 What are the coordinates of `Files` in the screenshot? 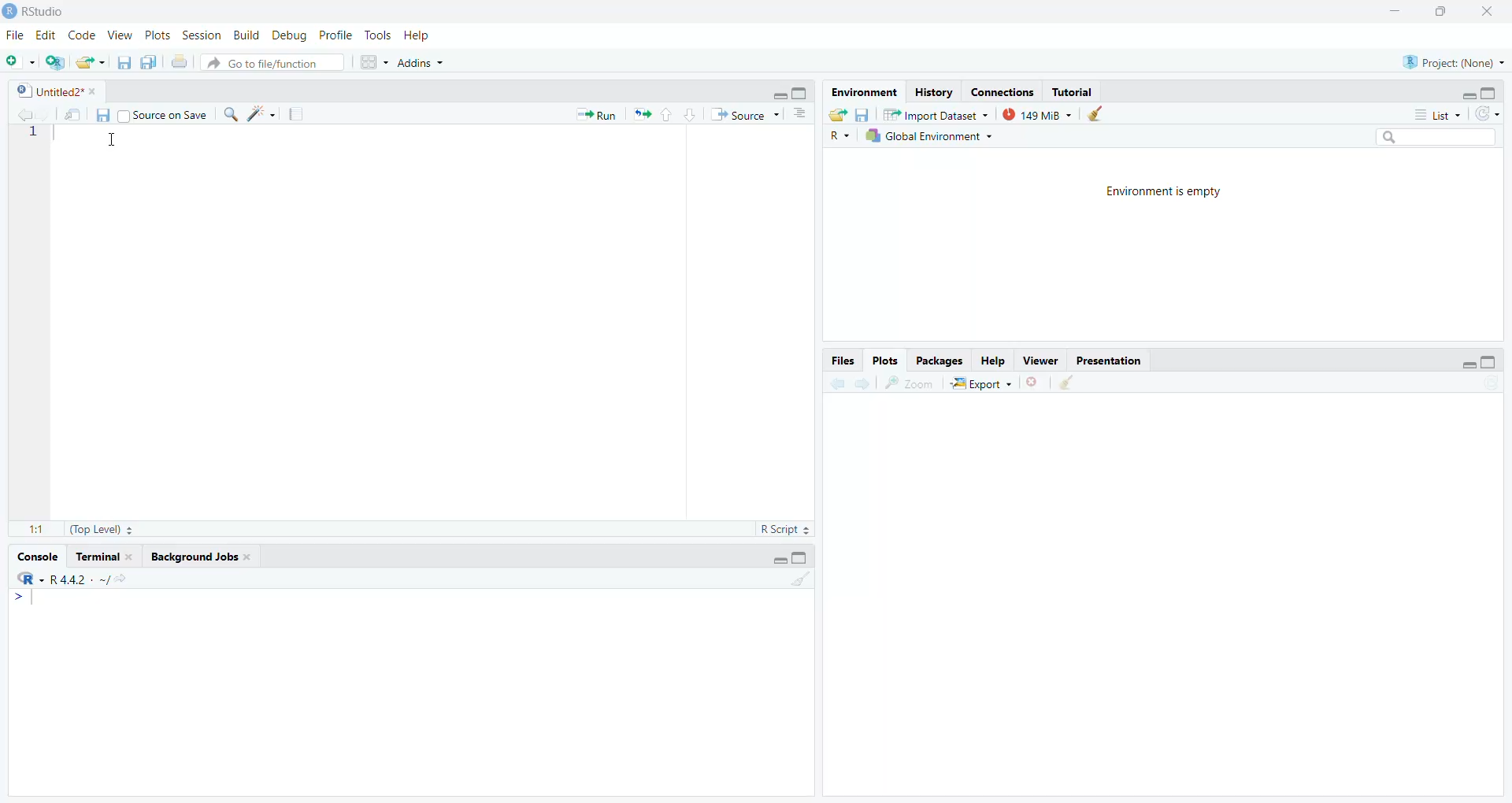 It's located at (843, 361).